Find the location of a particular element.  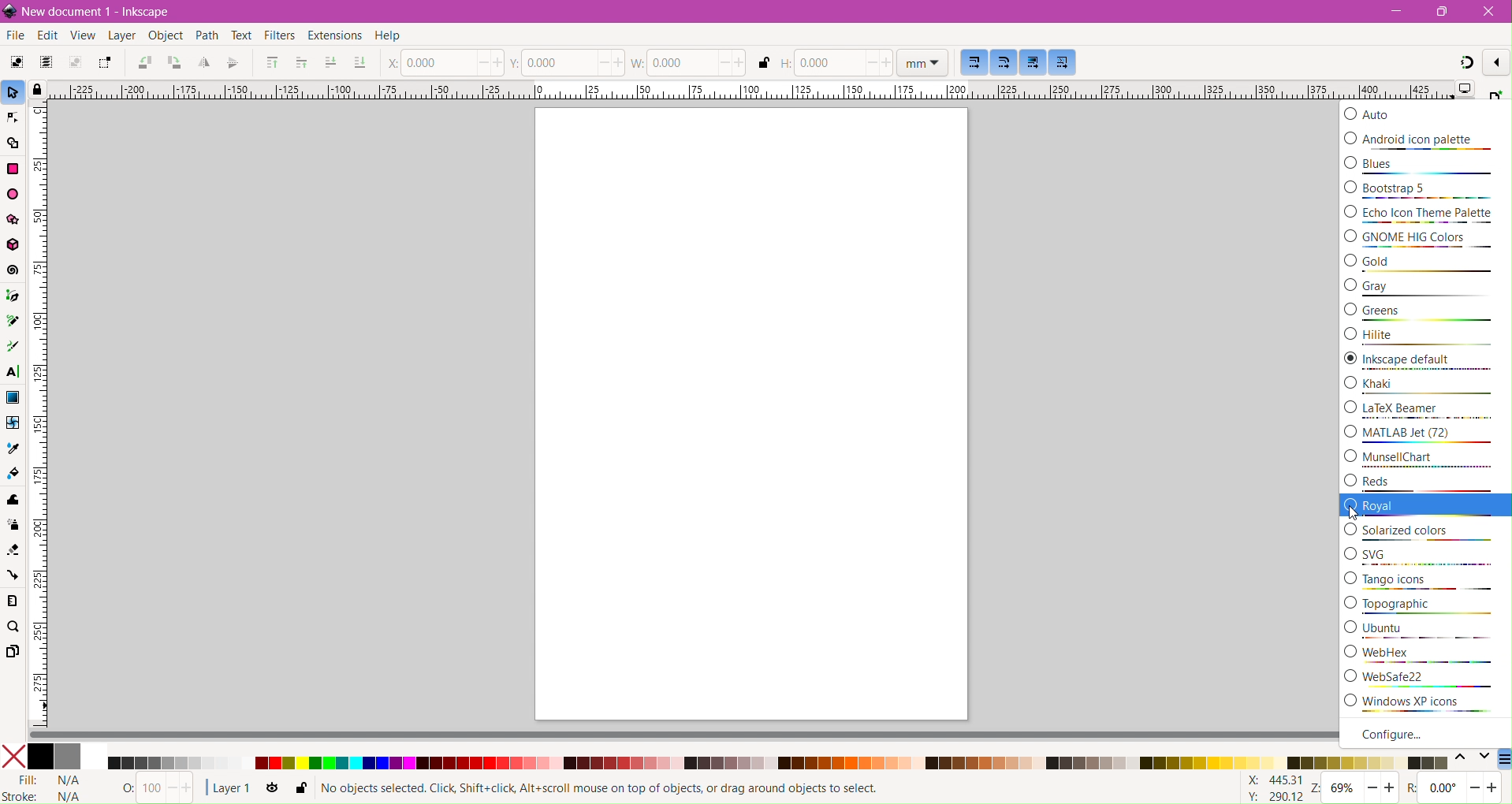

Toggle current layer visibility is located at coordinates (273, 791).